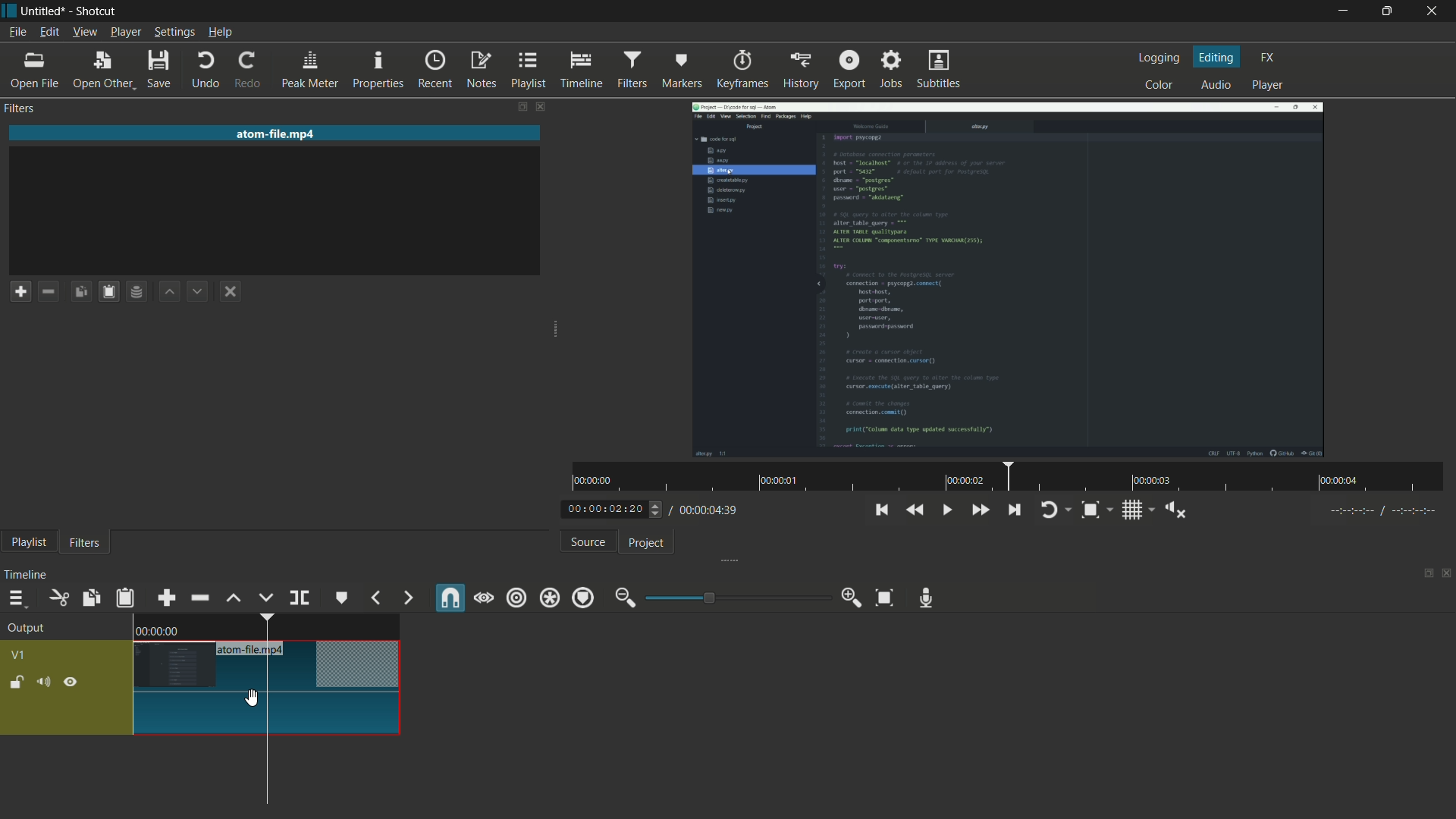 Image resolution: width=1456 pixels, height=819 pixels. I want to click on copy, so click(89, 598).